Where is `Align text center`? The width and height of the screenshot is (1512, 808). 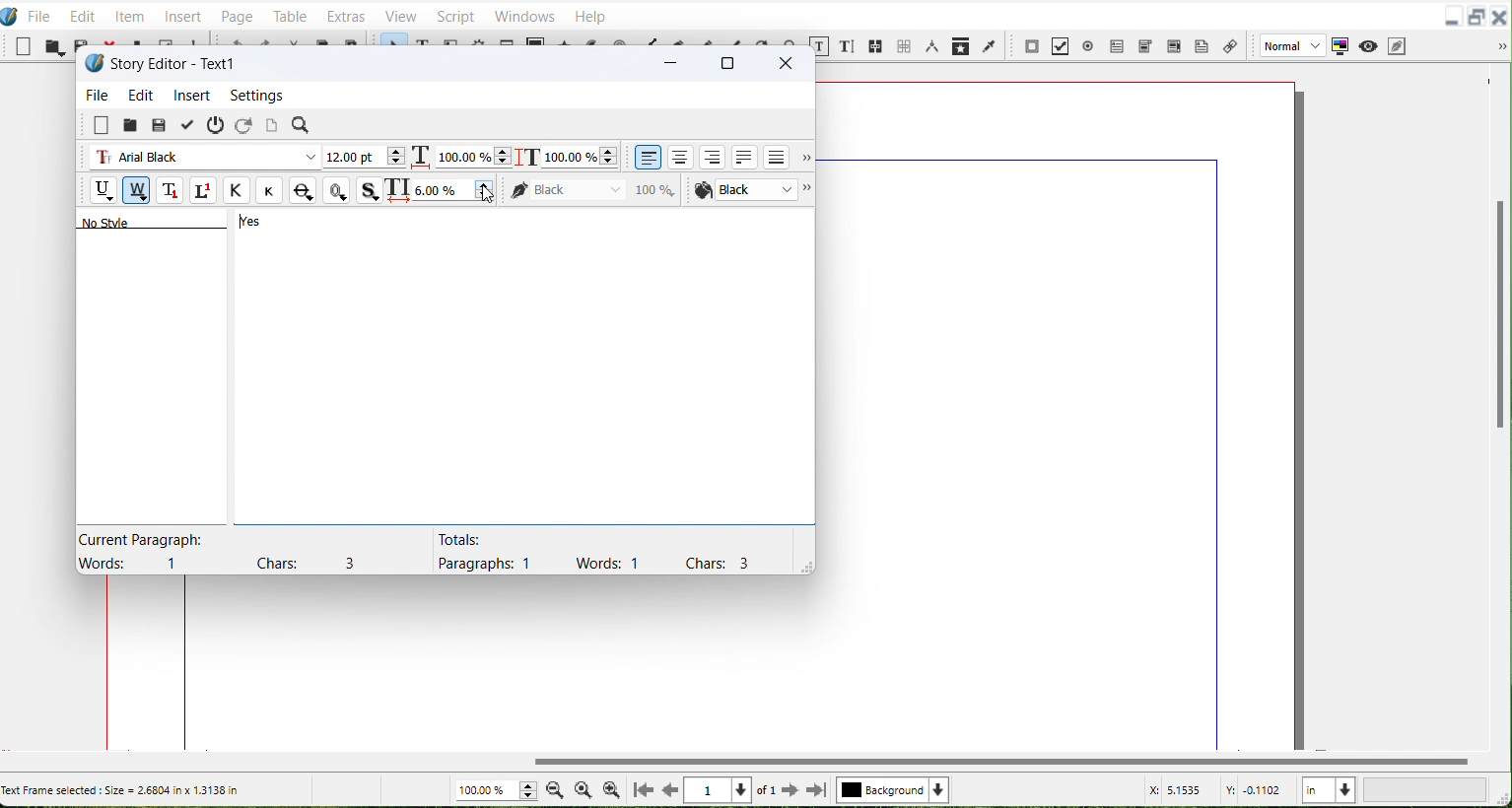 Align text center is located at coordinates (683, 156).